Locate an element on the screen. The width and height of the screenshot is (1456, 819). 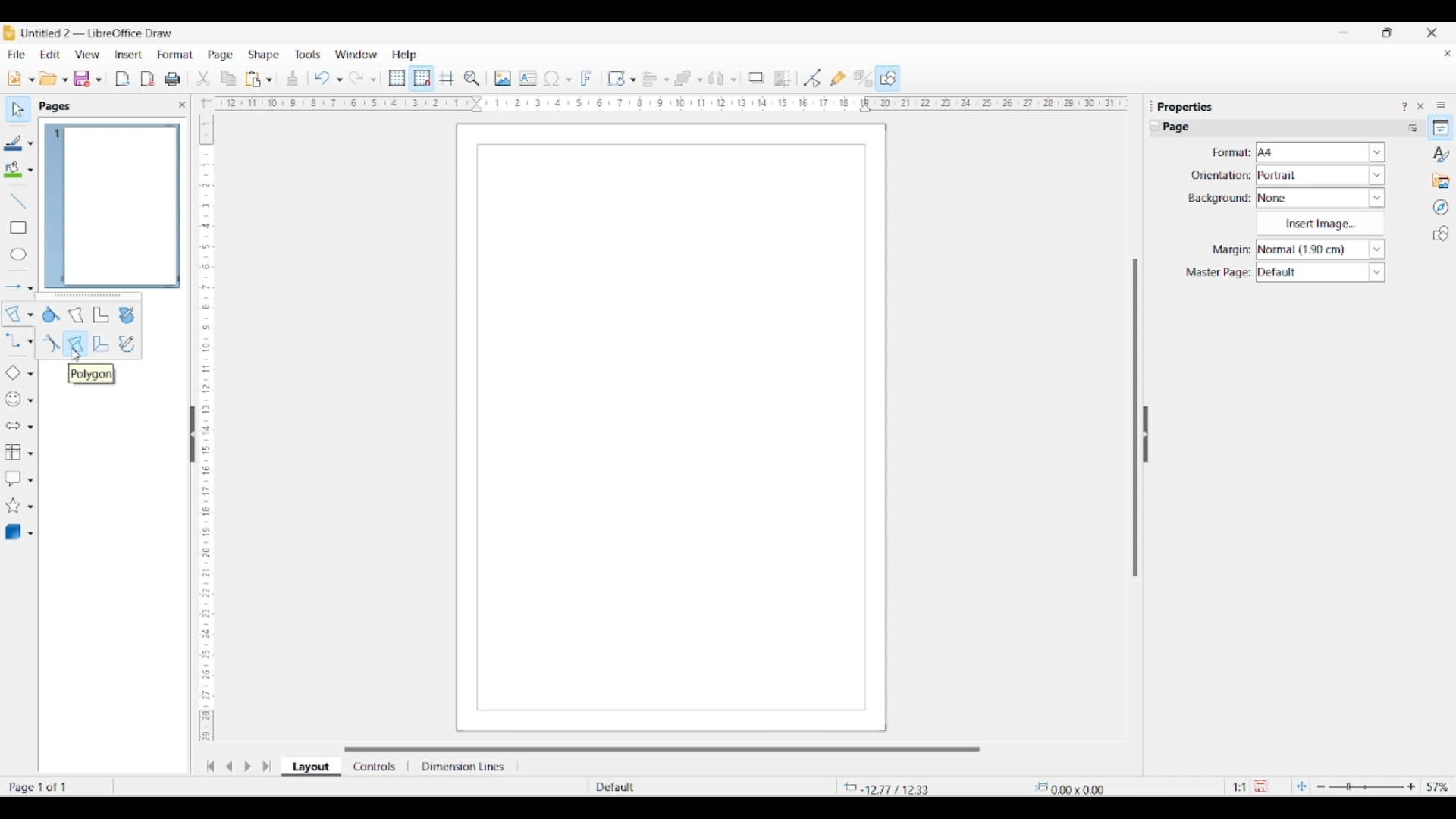
Selected new document is located at coordinates (14, 78).